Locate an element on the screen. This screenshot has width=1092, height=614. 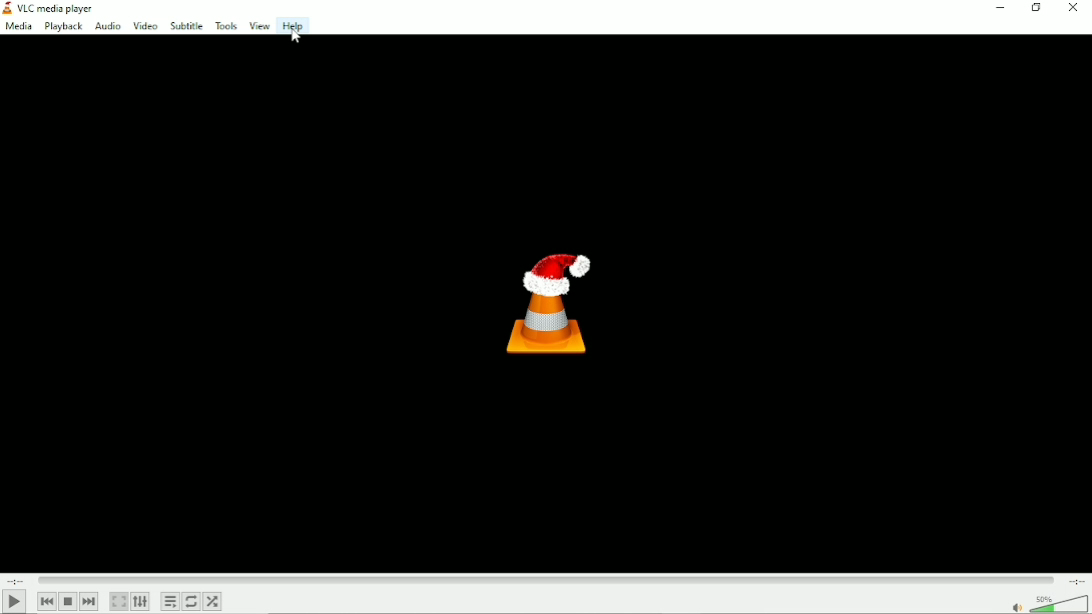
Close is located at coordinates (1074, 8).